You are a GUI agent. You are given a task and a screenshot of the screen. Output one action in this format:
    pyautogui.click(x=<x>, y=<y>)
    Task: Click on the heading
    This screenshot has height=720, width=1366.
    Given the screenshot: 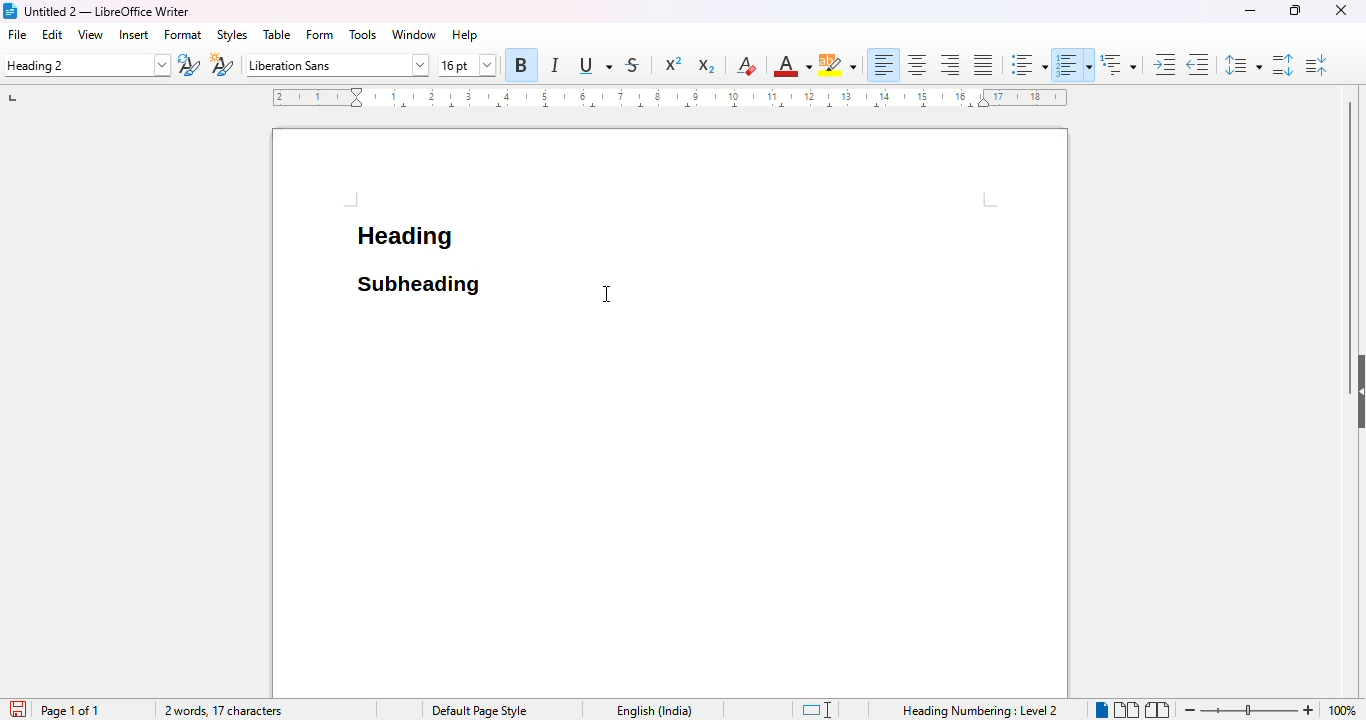 What is the action you would take?
    pyautogui.click(x=403, y=236)
    